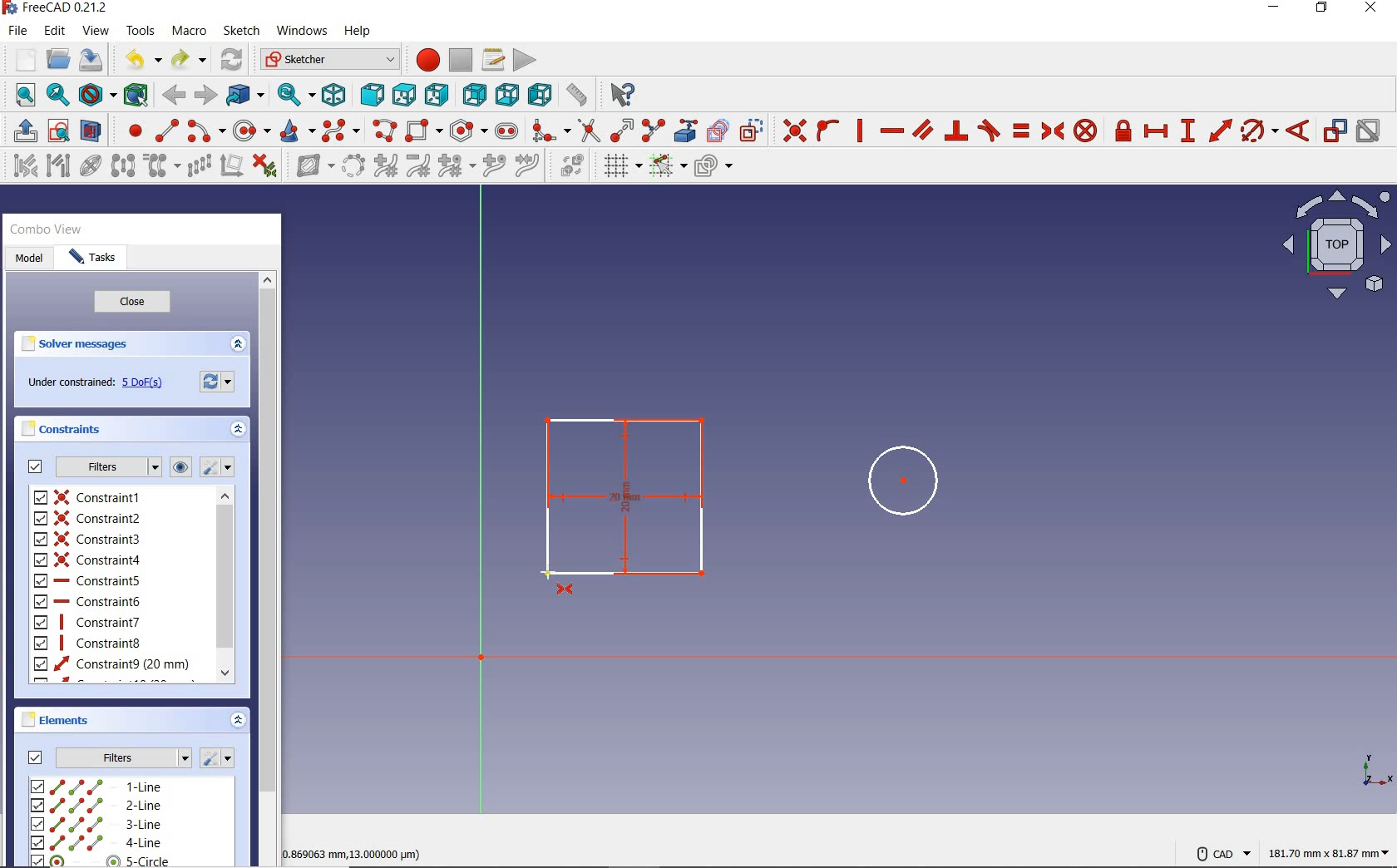  Describe the element at coordinates (239, 431) in the screenshot. I see `expand` at that location.